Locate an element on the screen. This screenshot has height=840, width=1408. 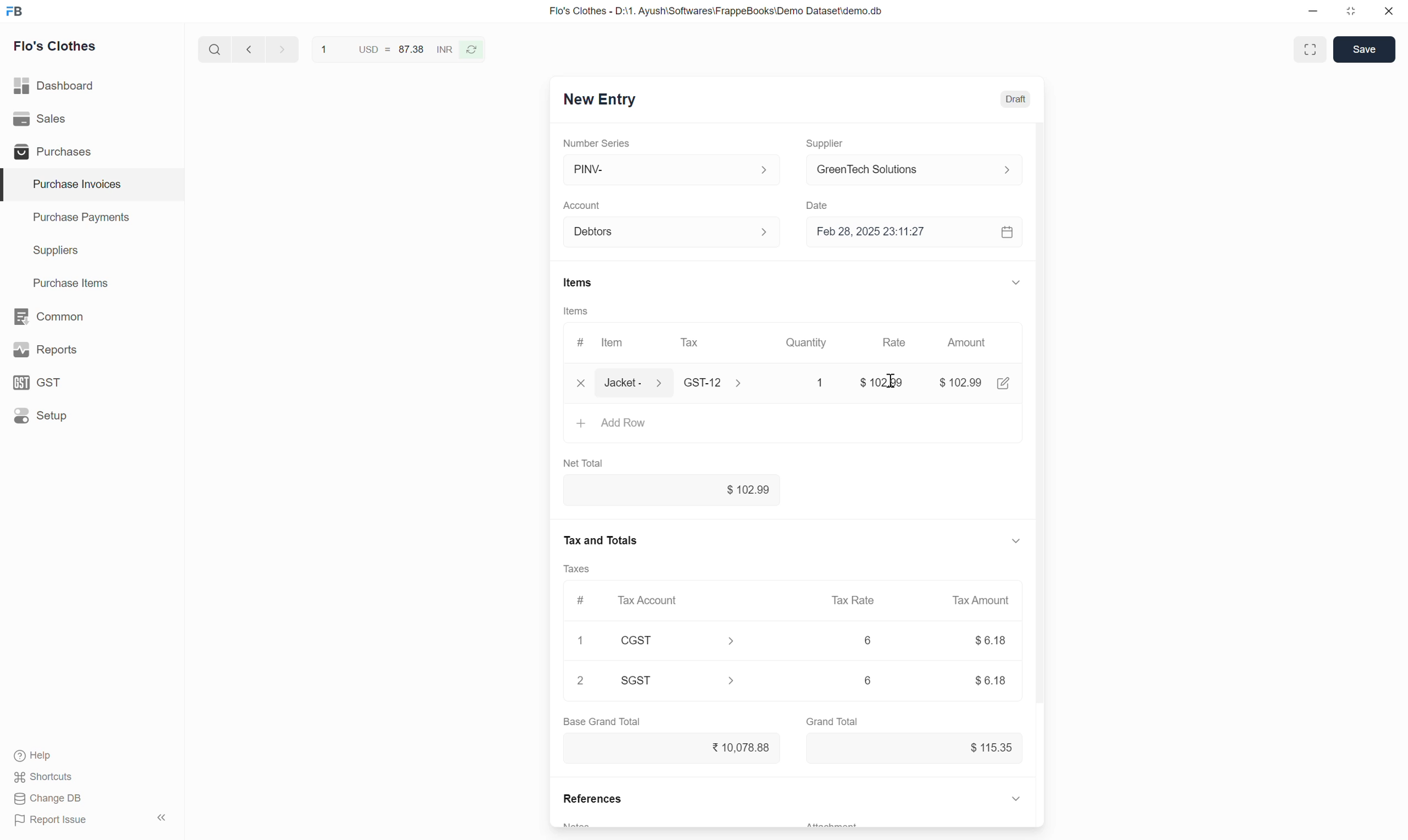
2 is located at coordinates (580, 680).